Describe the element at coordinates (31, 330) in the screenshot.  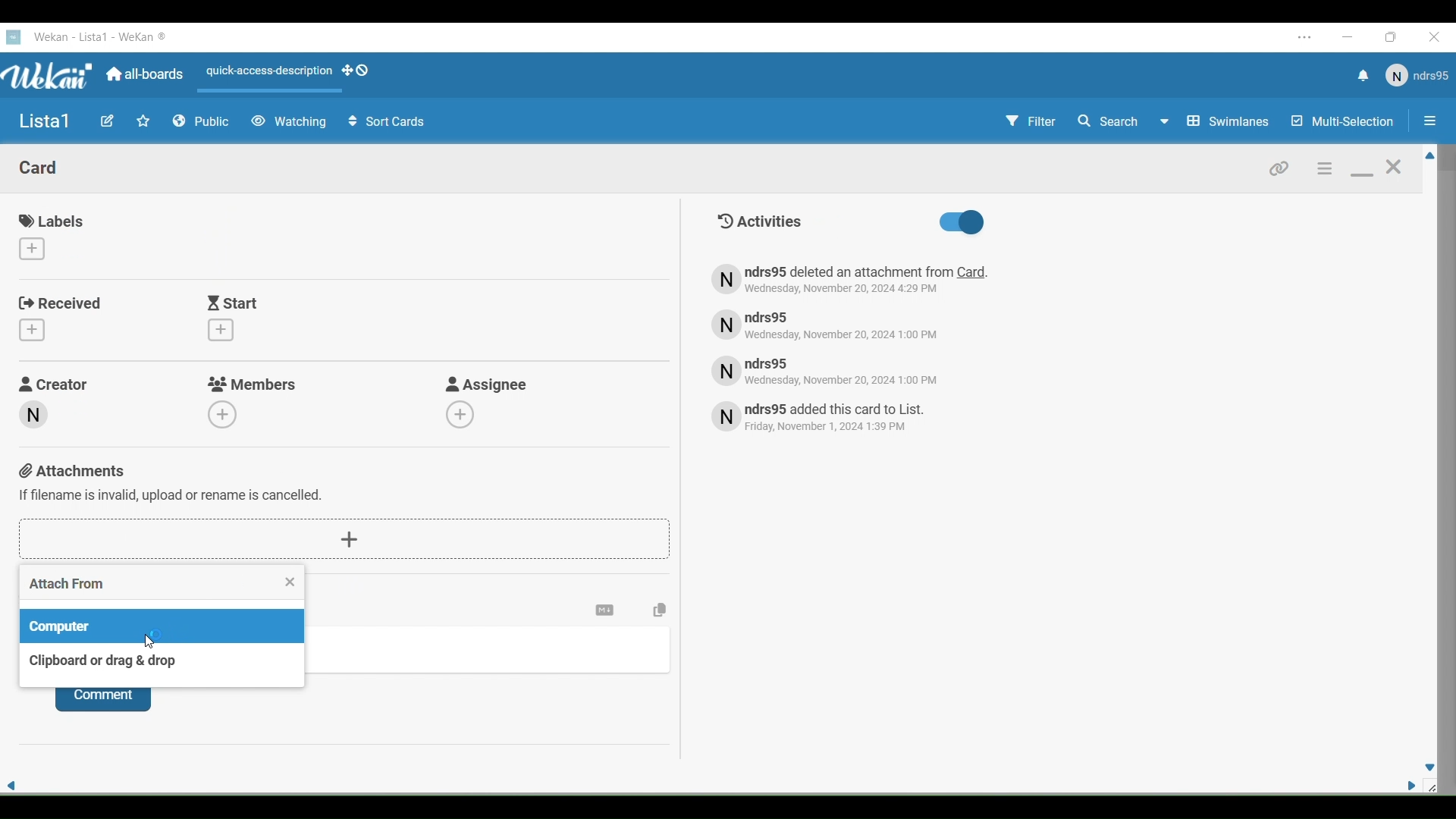
I see `Add received` at that location.